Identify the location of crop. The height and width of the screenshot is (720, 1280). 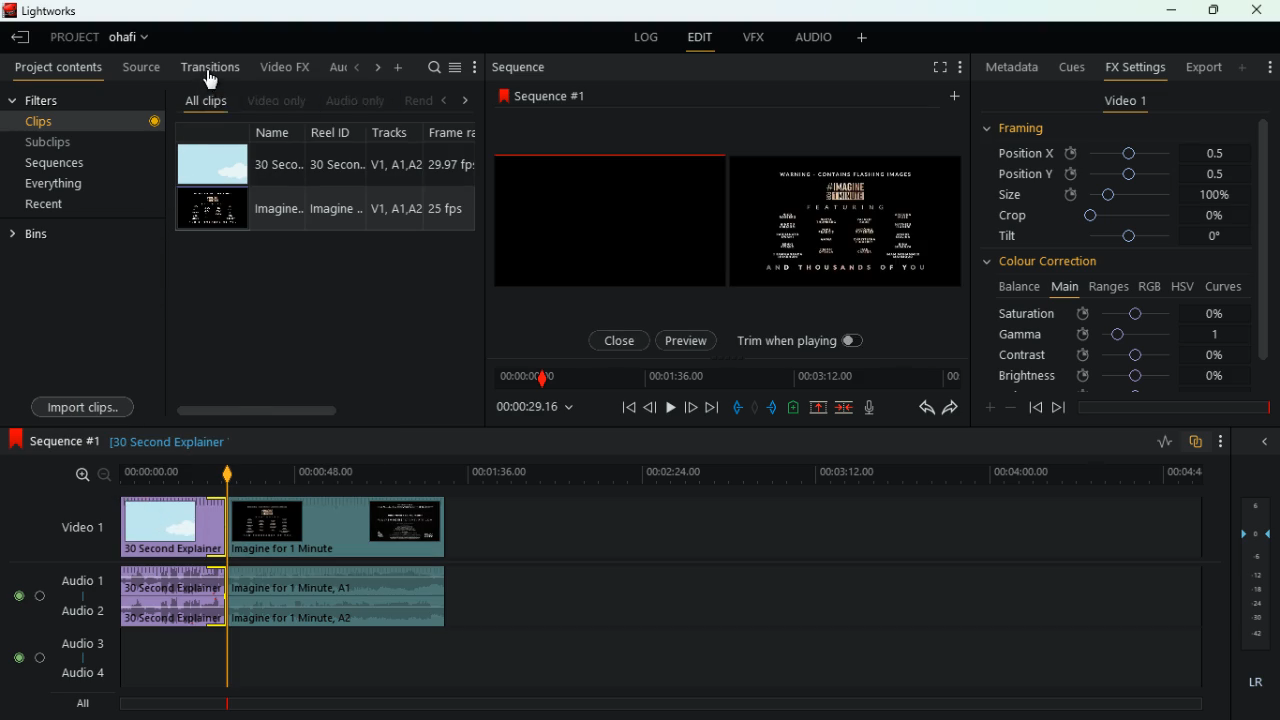
(1114, 217).